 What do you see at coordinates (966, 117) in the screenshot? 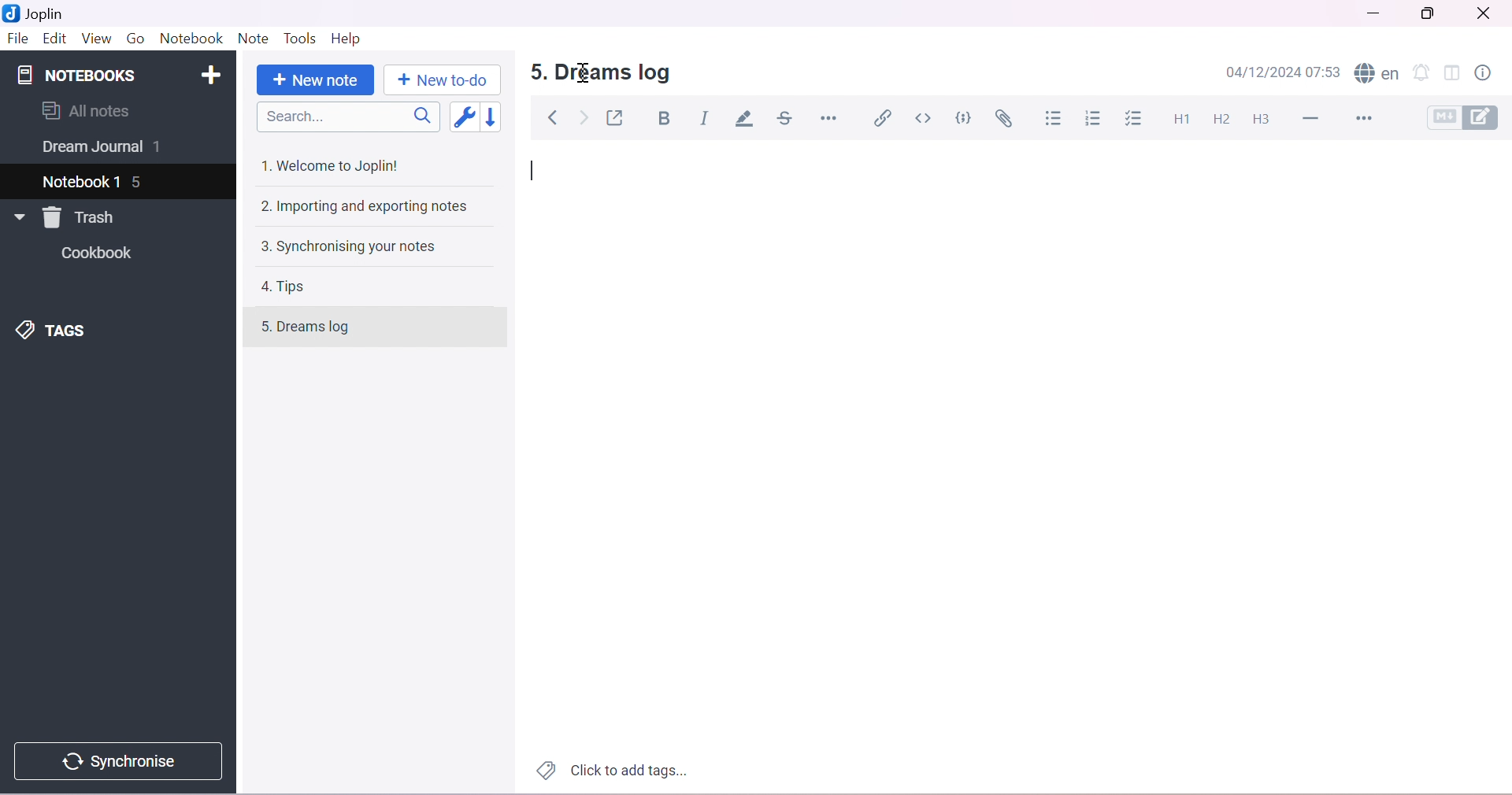
I see `Code` at bounding box center [966, 117].